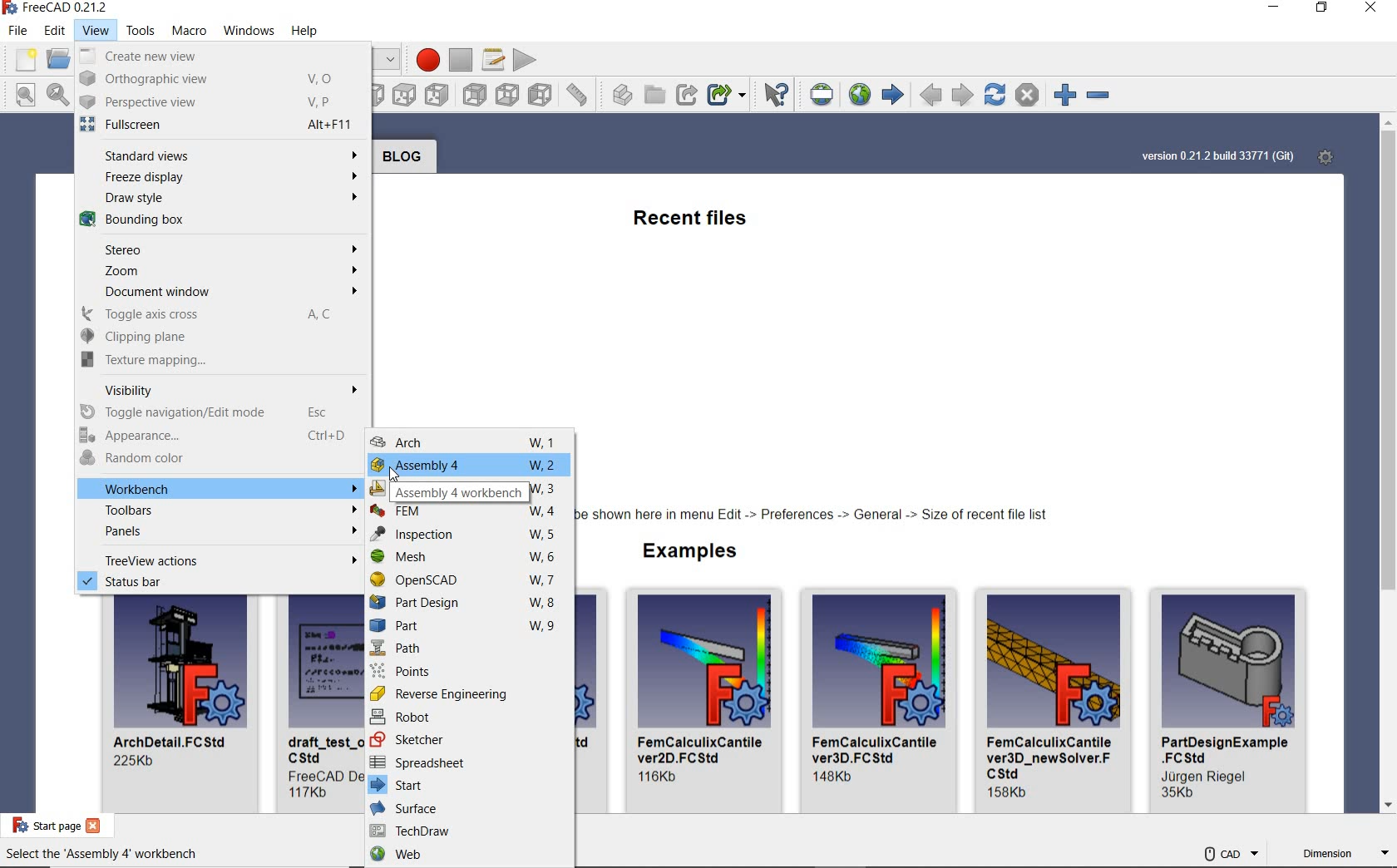  I want to click on surface, so click(469, 807).